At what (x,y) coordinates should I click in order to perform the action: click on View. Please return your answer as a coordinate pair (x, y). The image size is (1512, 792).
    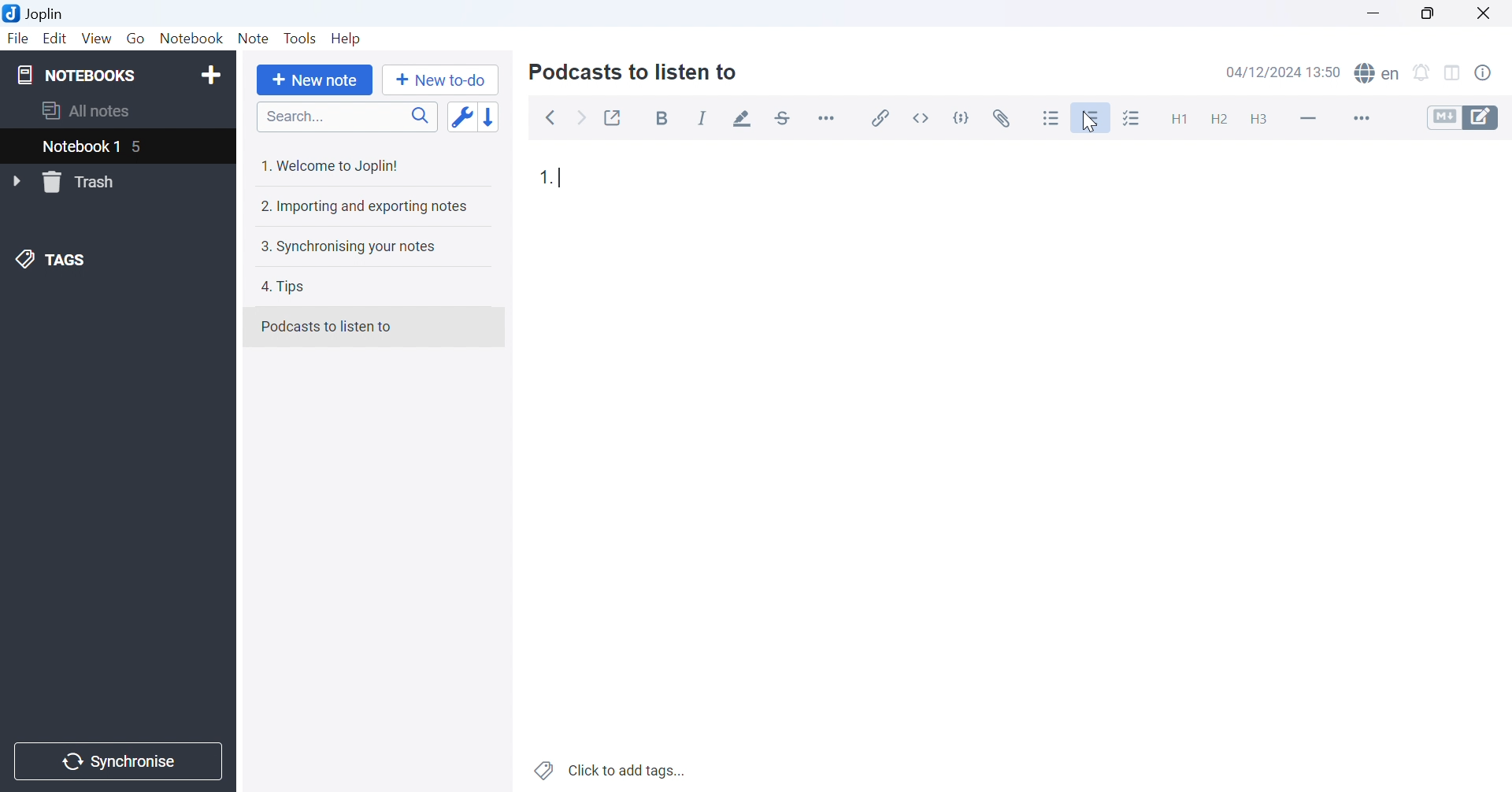
    Looking at the image, I should click on (97, 37).